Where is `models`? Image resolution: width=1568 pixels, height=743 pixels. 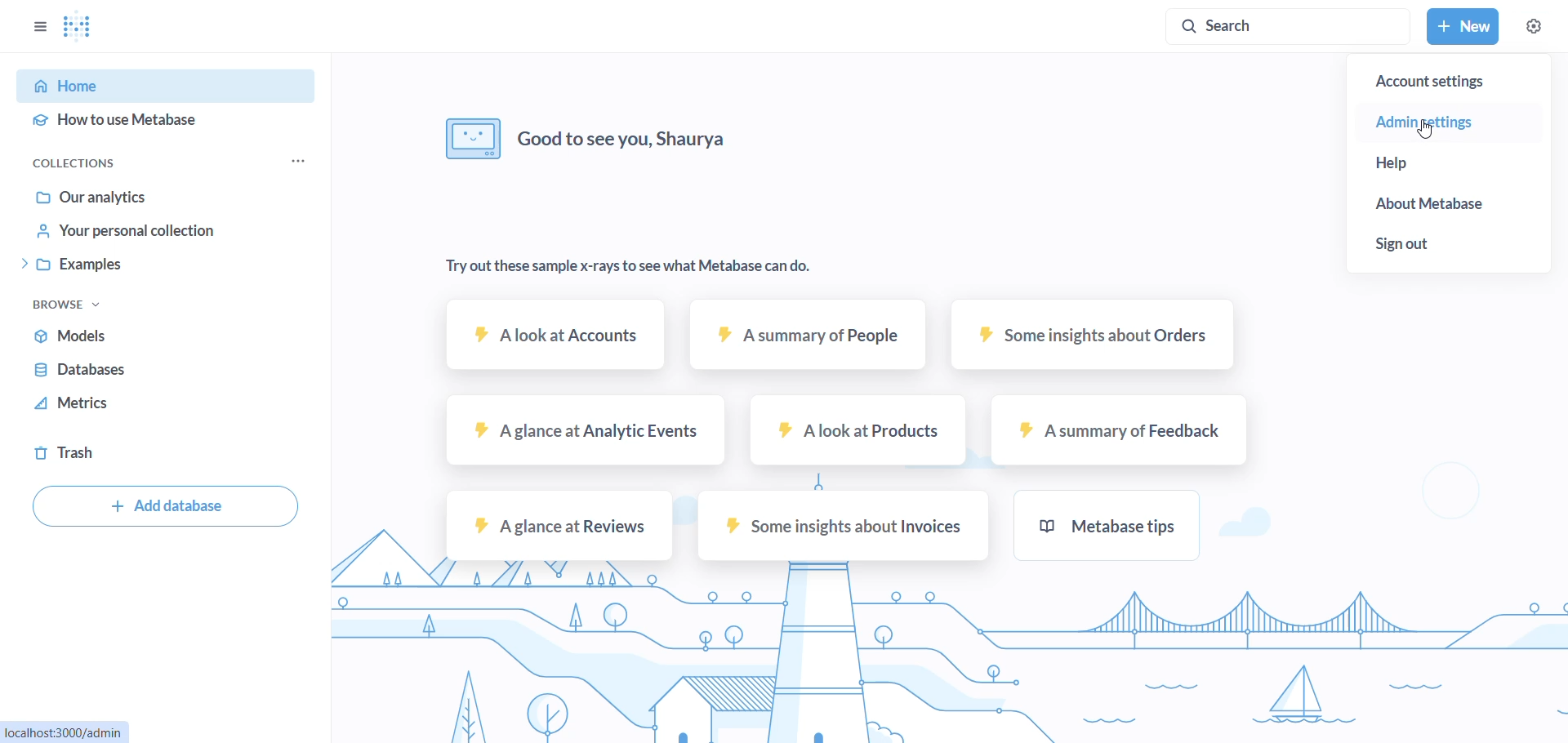 models is located at coordinates (92, 339).